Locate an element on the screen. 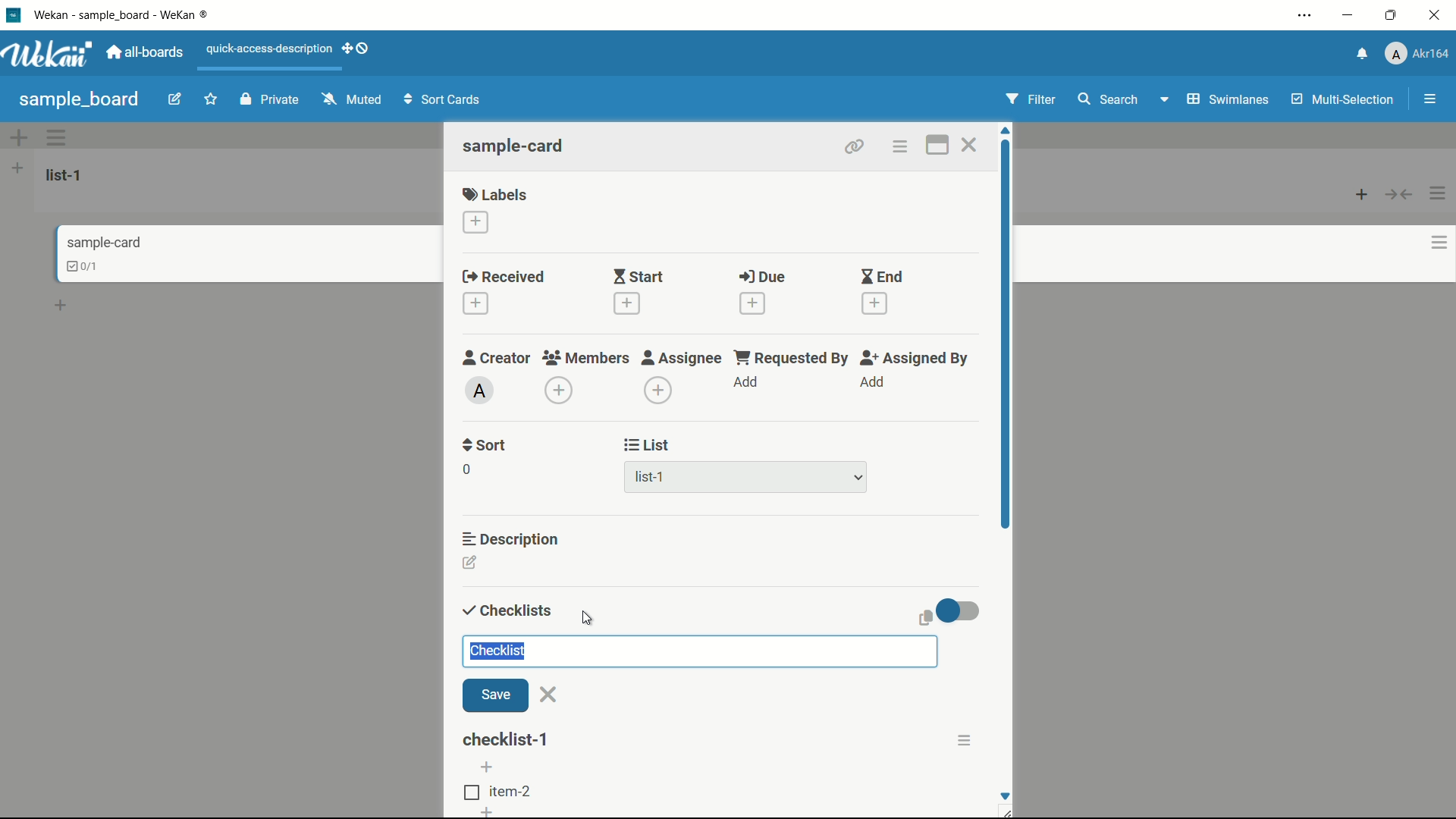 Image resolution: width=1456 pixels, height=819 pixels. add assignee is located at coordinates (659, 391).